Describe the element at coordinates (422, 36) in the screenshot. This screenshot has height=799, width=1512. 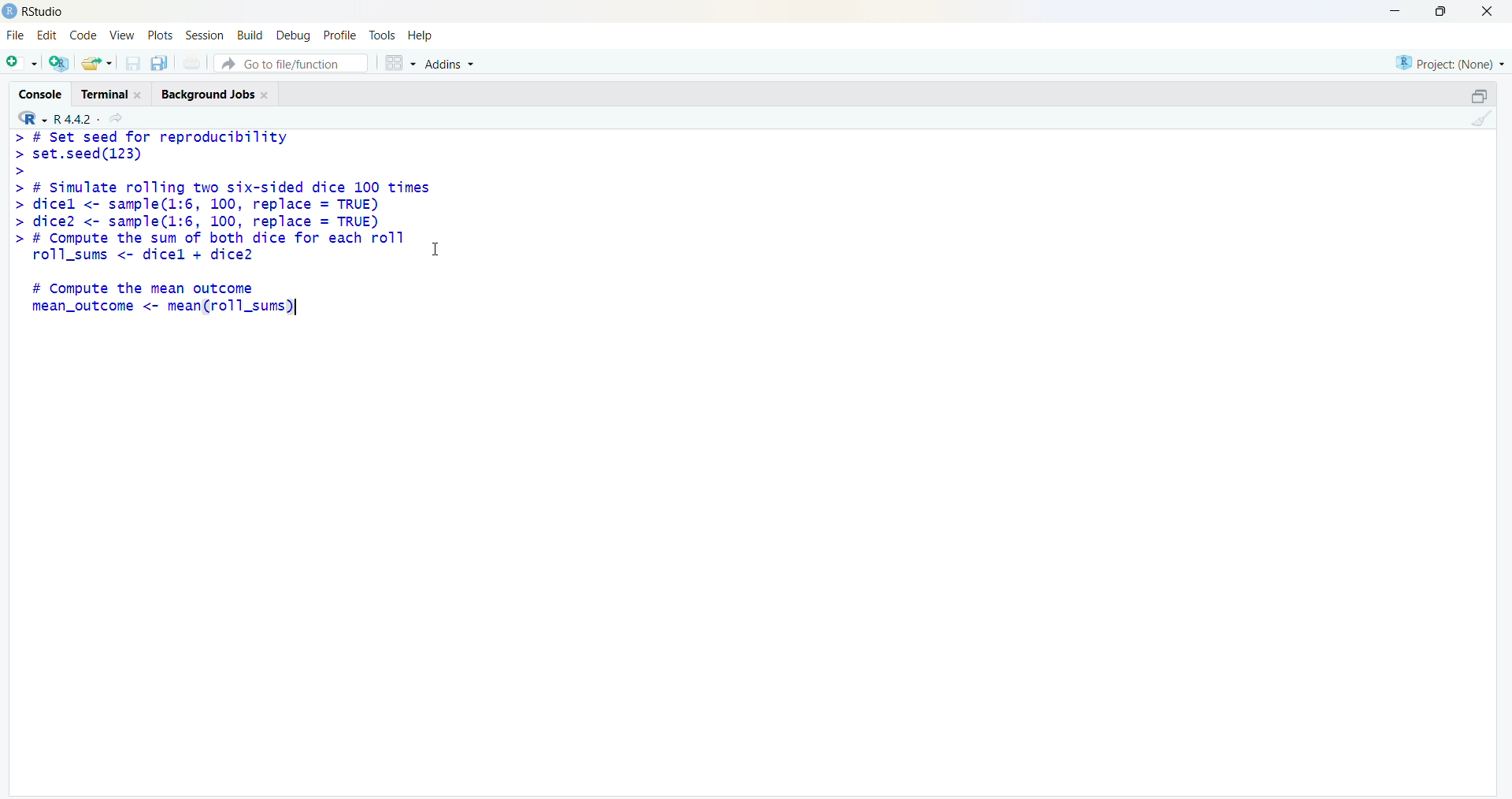
I see `help` at that location.